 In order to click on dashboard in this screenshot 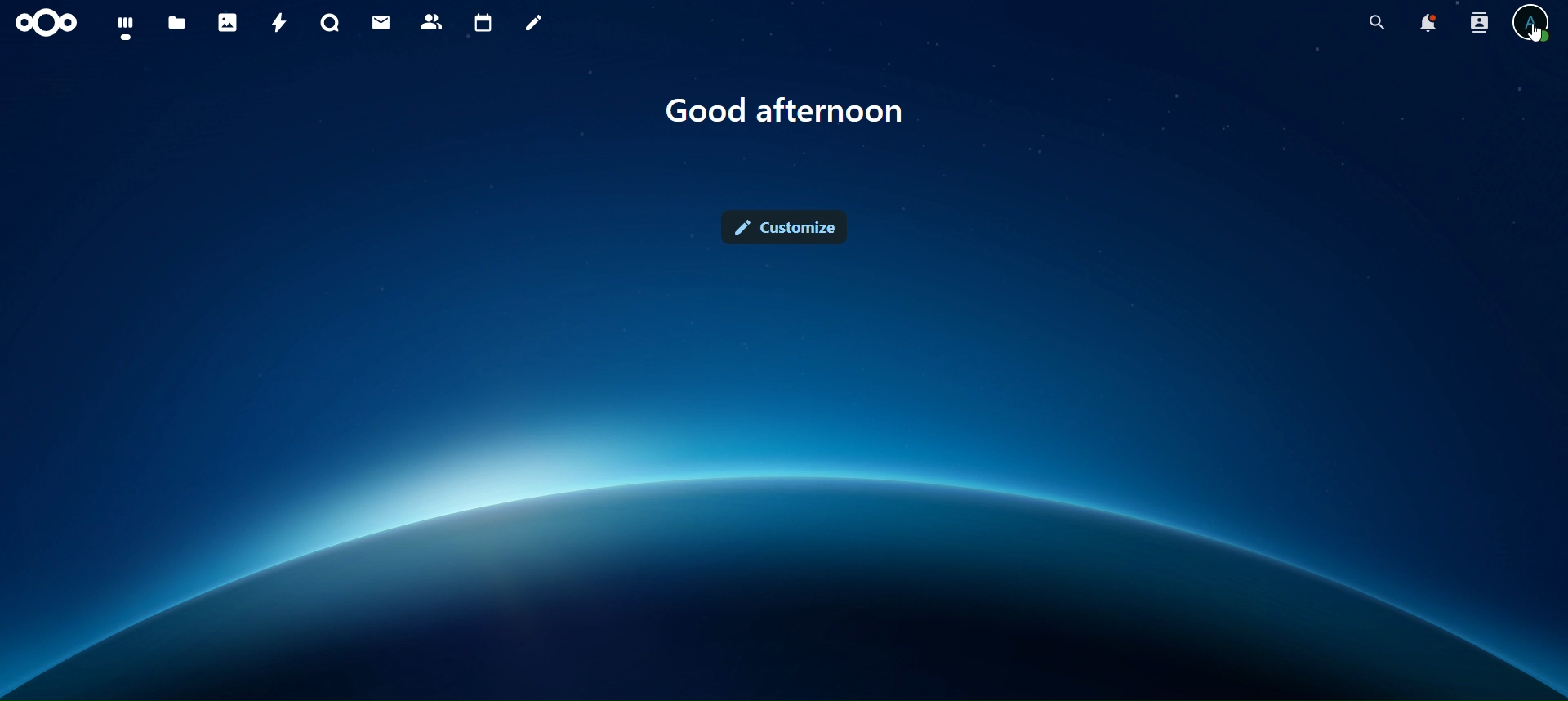, I will do `click(127, 26)`.